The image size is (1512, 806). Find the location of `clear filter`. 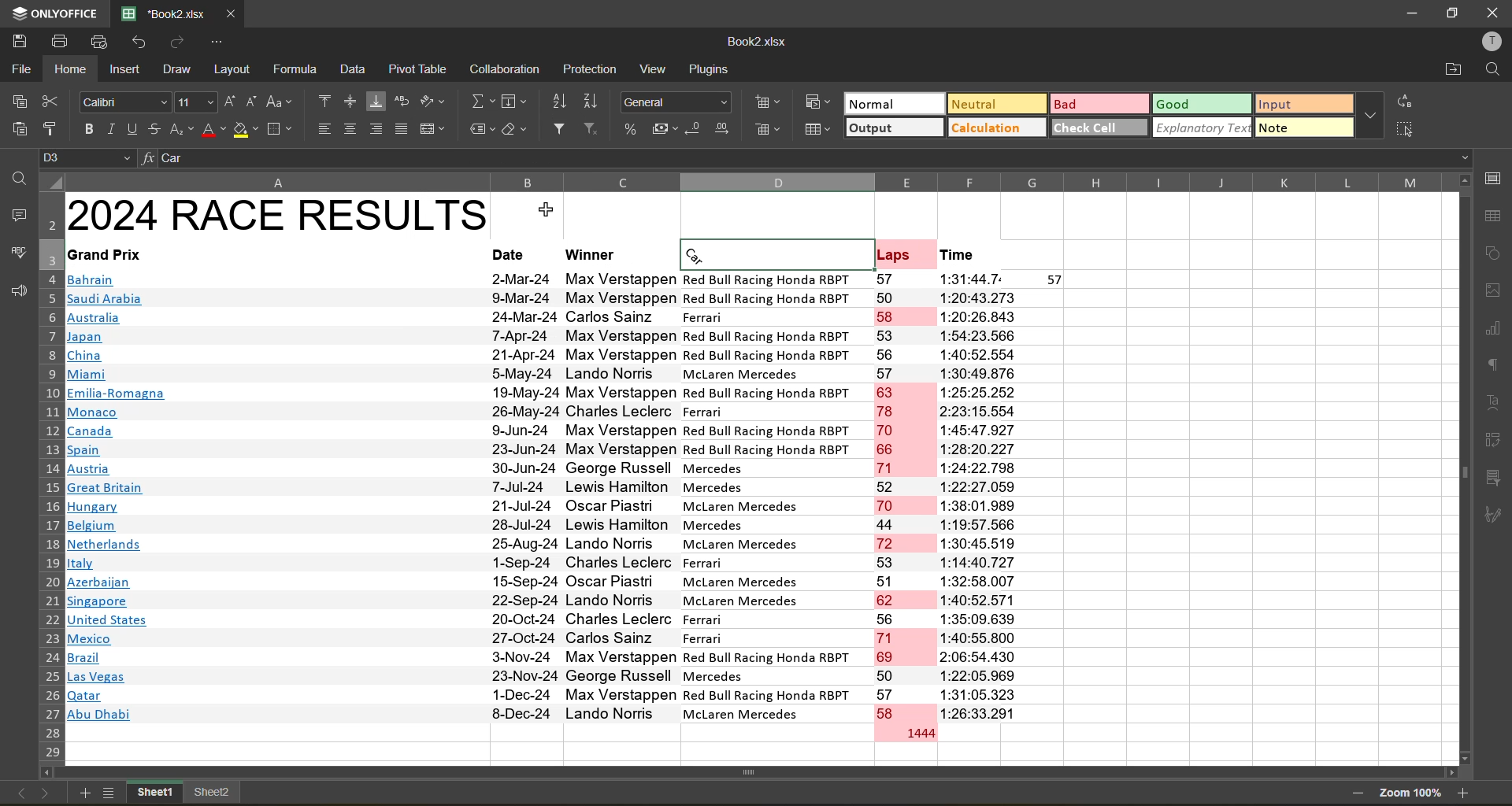

clear filter is located at coordinates (591, 126).